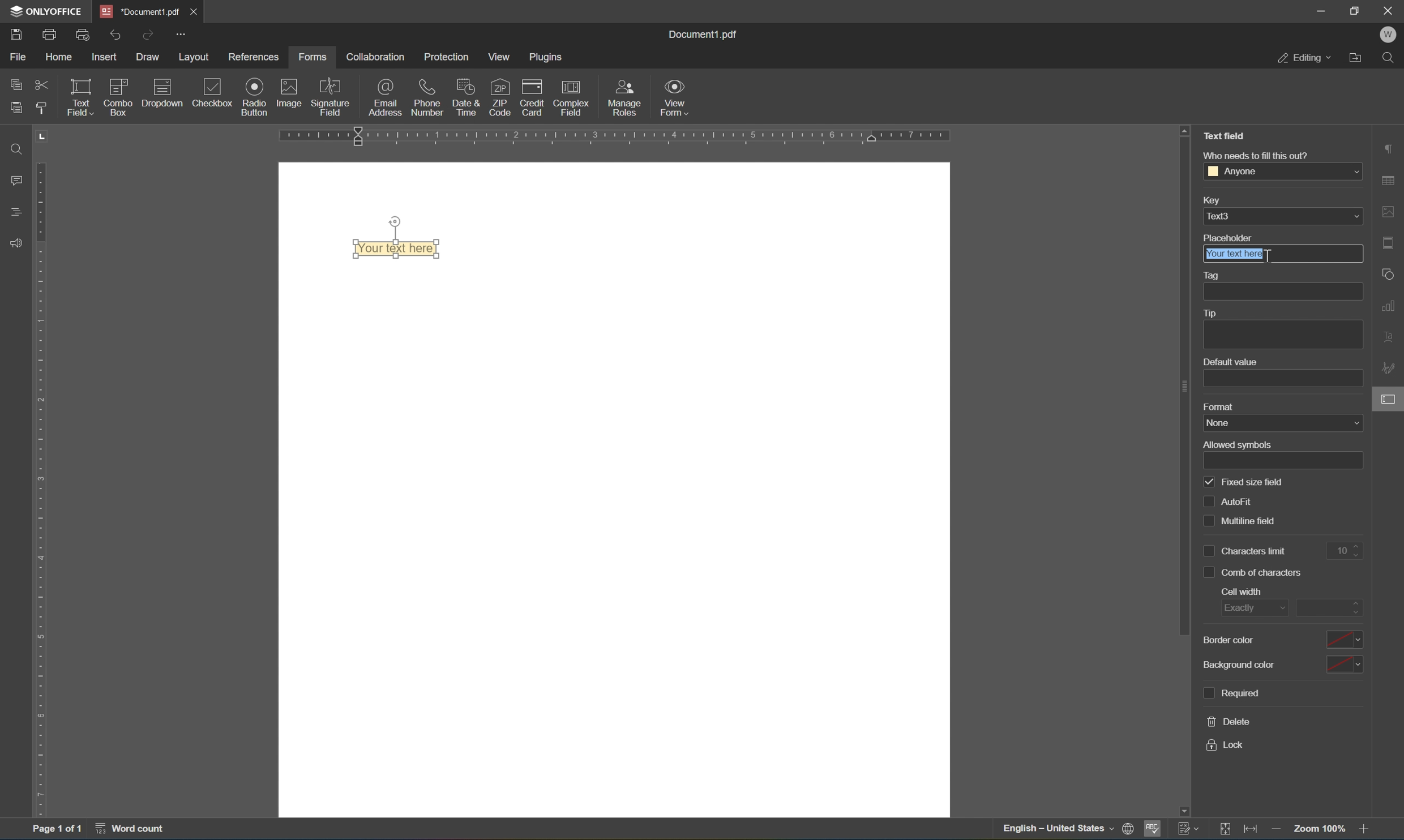  What do you see at coordinates (1246, 607) in the screenshot?
I see `exactly` at bounding box center [1246, 607].